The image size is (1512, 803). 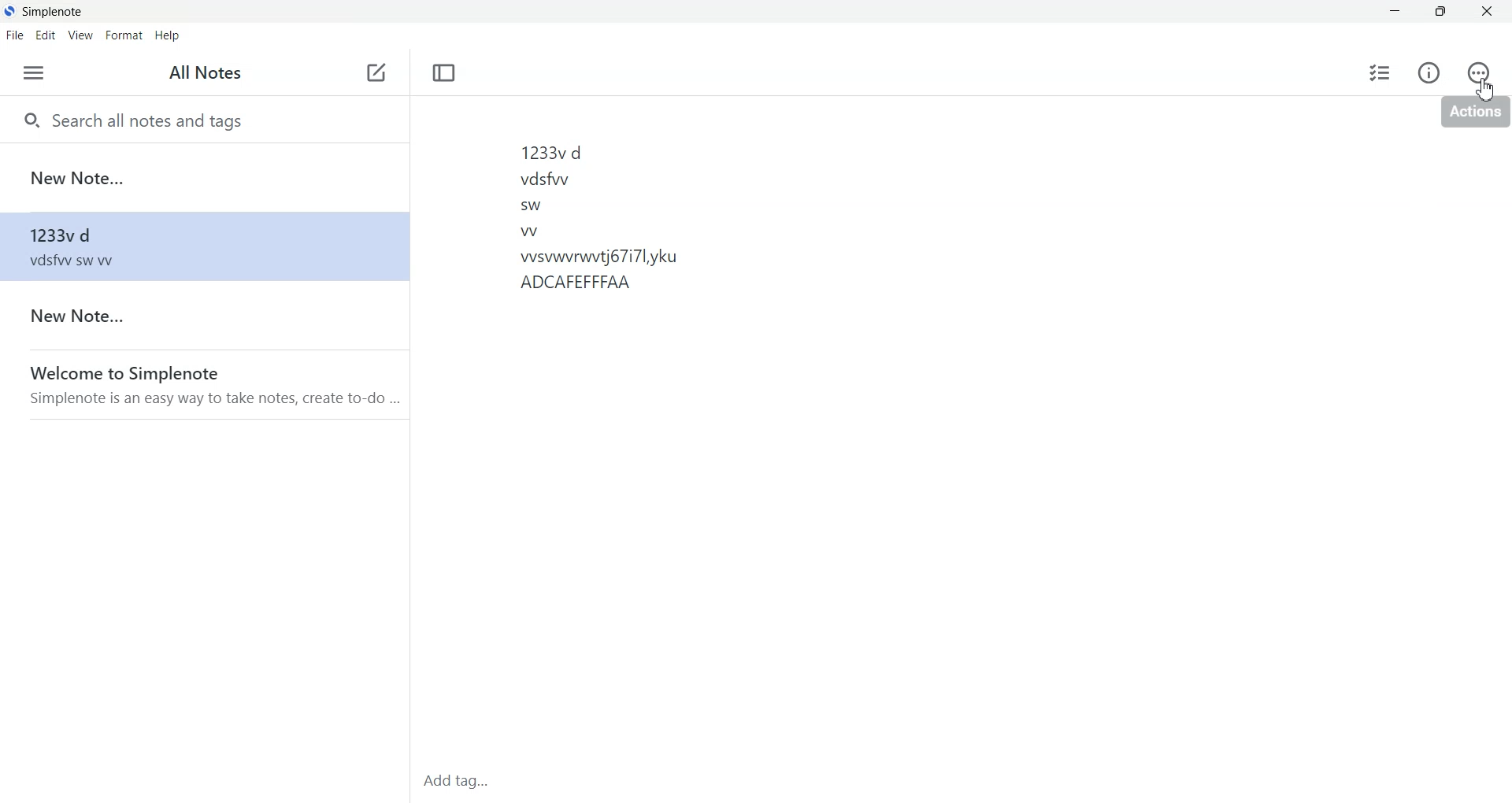 What do you see at coordinates (14, 35) in the screenshot?
I see `File` at bounding box center [14, 35].